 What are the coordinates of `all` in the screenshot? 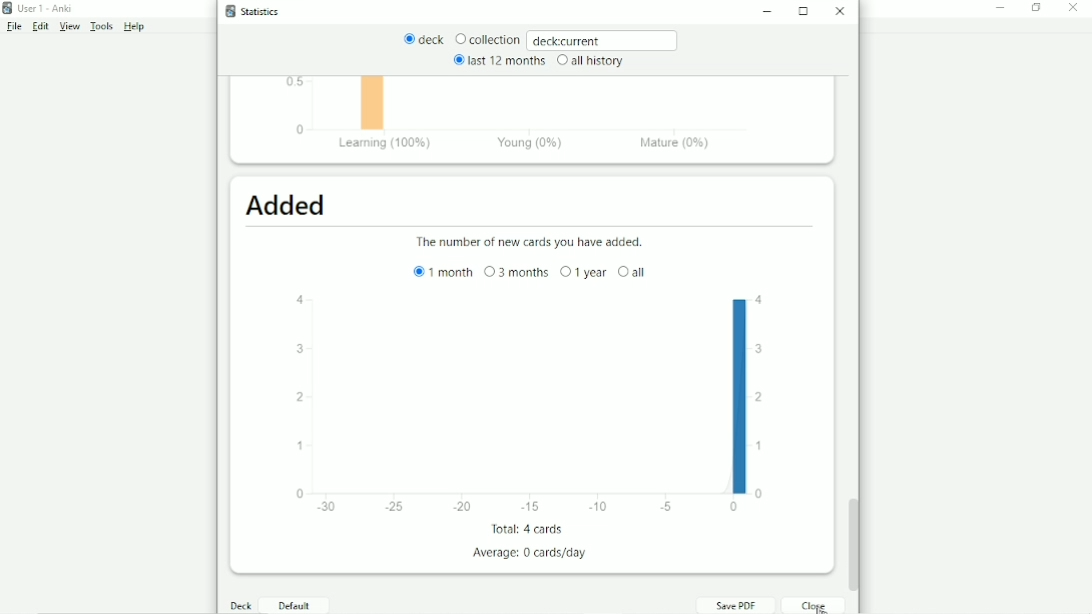 It's located at (637, 271).